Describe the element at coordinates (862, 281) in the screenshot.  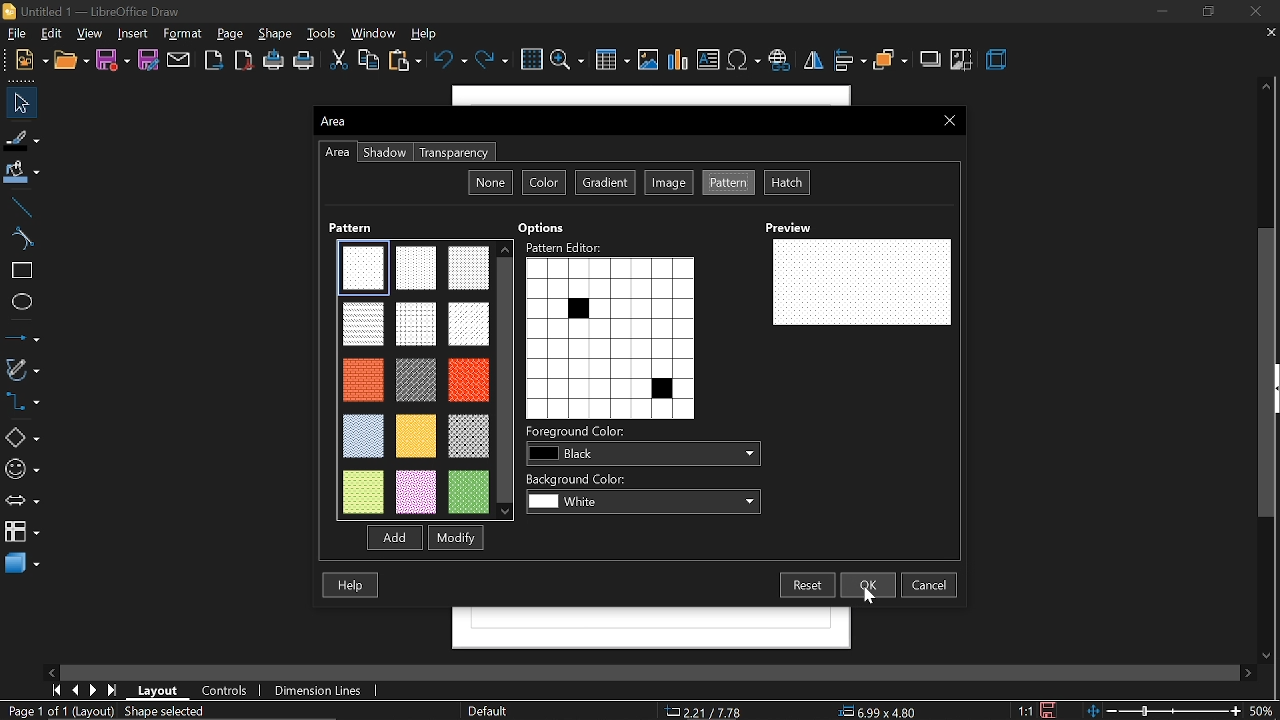
I see `Preview` at that location.